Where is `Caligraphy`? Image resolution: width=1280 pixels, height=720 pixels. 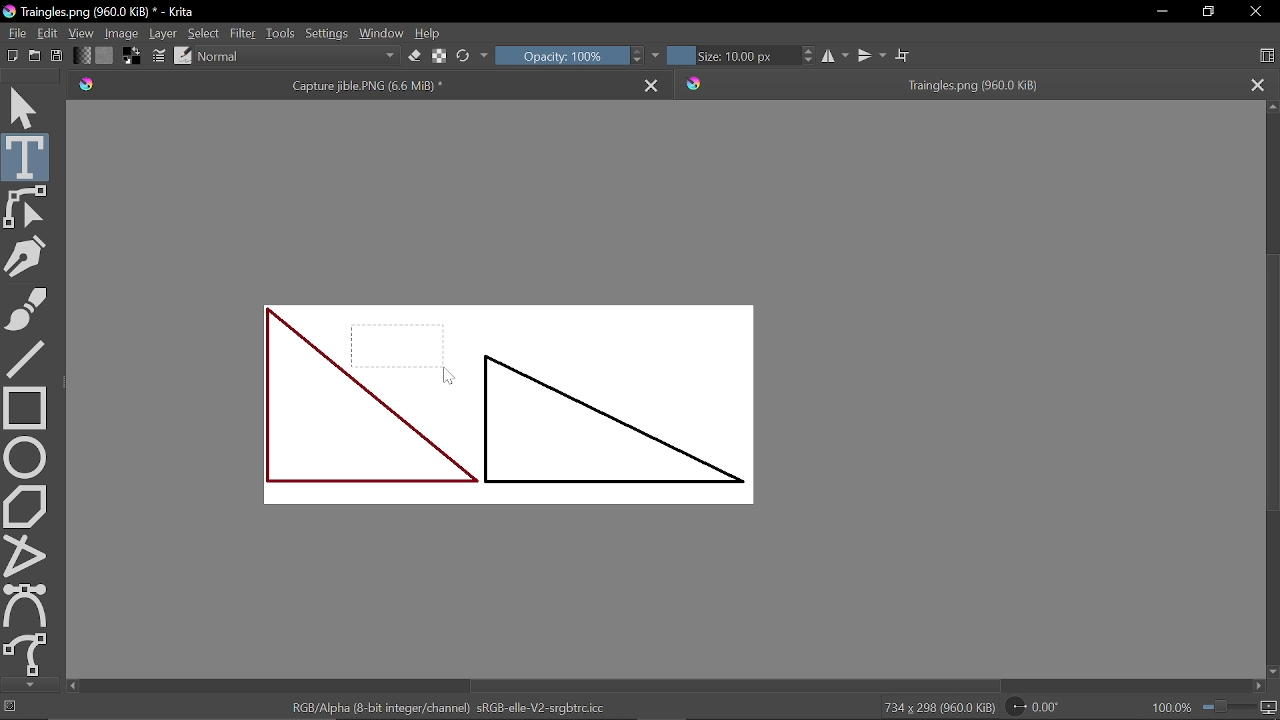 Caligraphy is located at coordinates (28, 255).